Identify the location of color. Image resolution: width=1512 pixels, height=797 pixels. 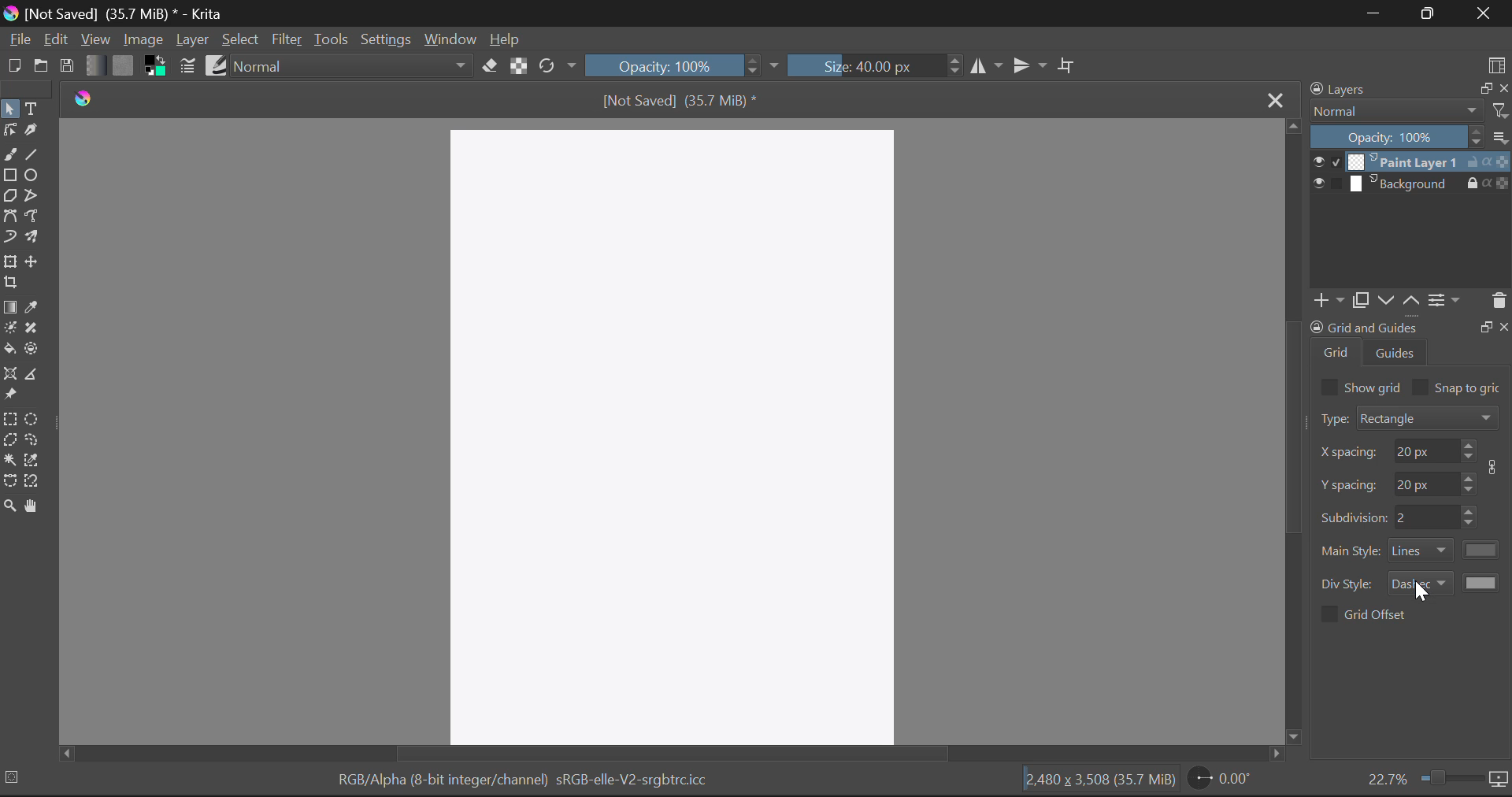
(1483, 550).